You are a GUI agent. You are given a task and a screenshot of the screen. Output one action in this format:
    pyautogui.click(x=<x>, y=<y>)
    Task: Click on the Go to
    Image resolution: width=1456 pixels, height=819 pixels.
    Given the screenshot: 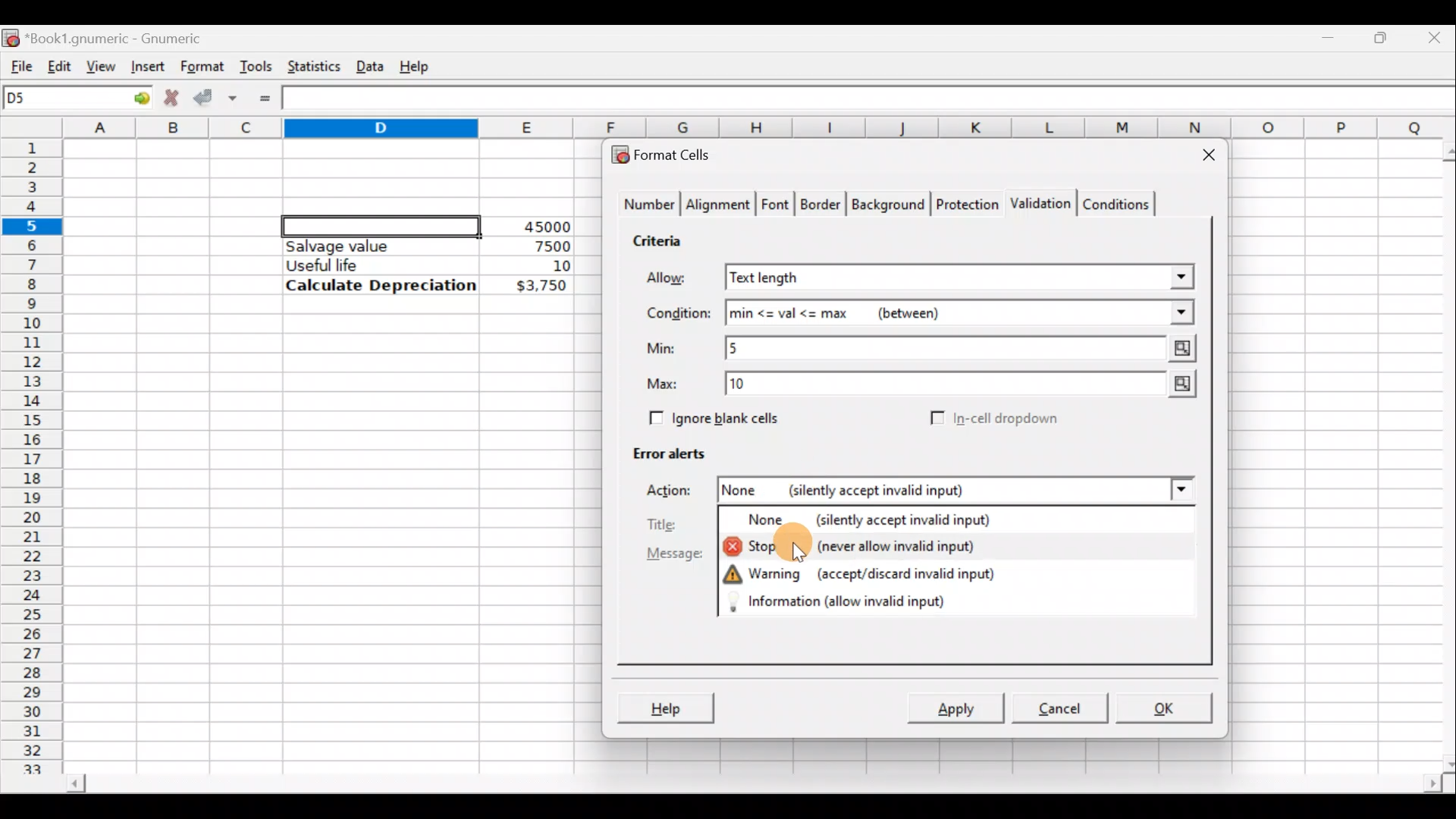 What is the action you would take?
    pyautogui.click(x=136, y=99)
    